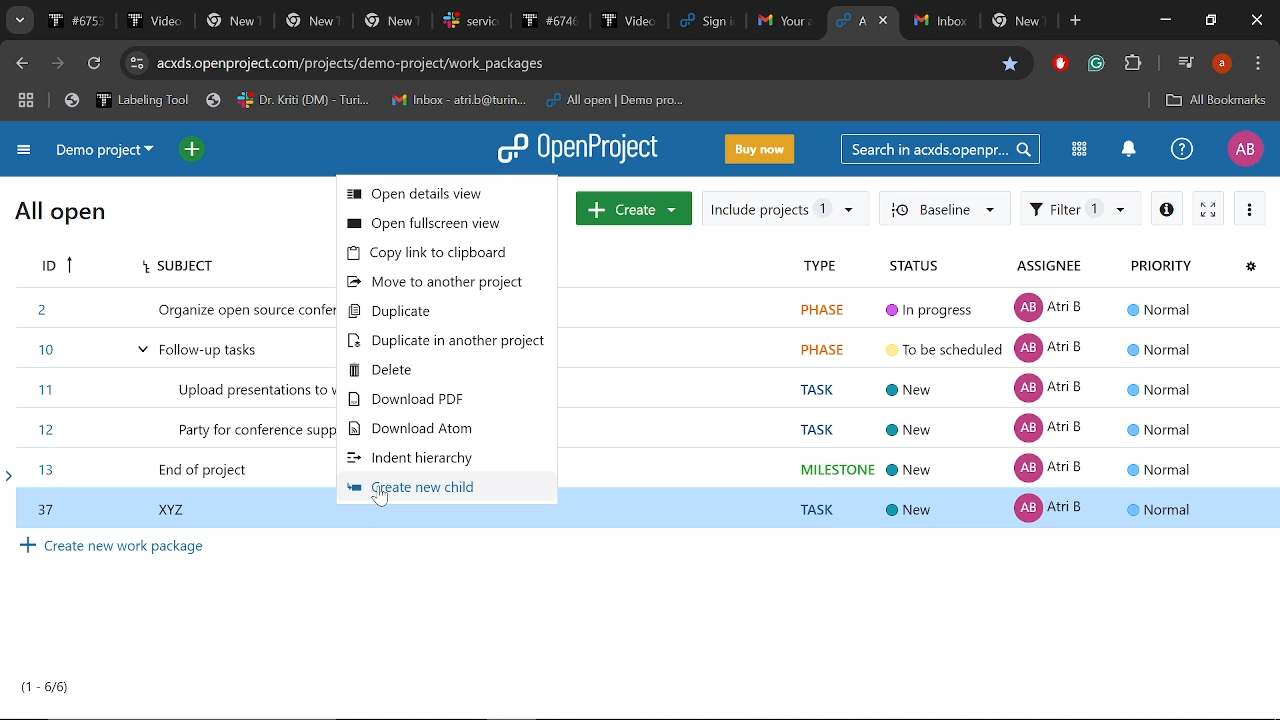 This screenshot has width=1280, height=720. I want to click on Existing tasks, so click(173, 386).